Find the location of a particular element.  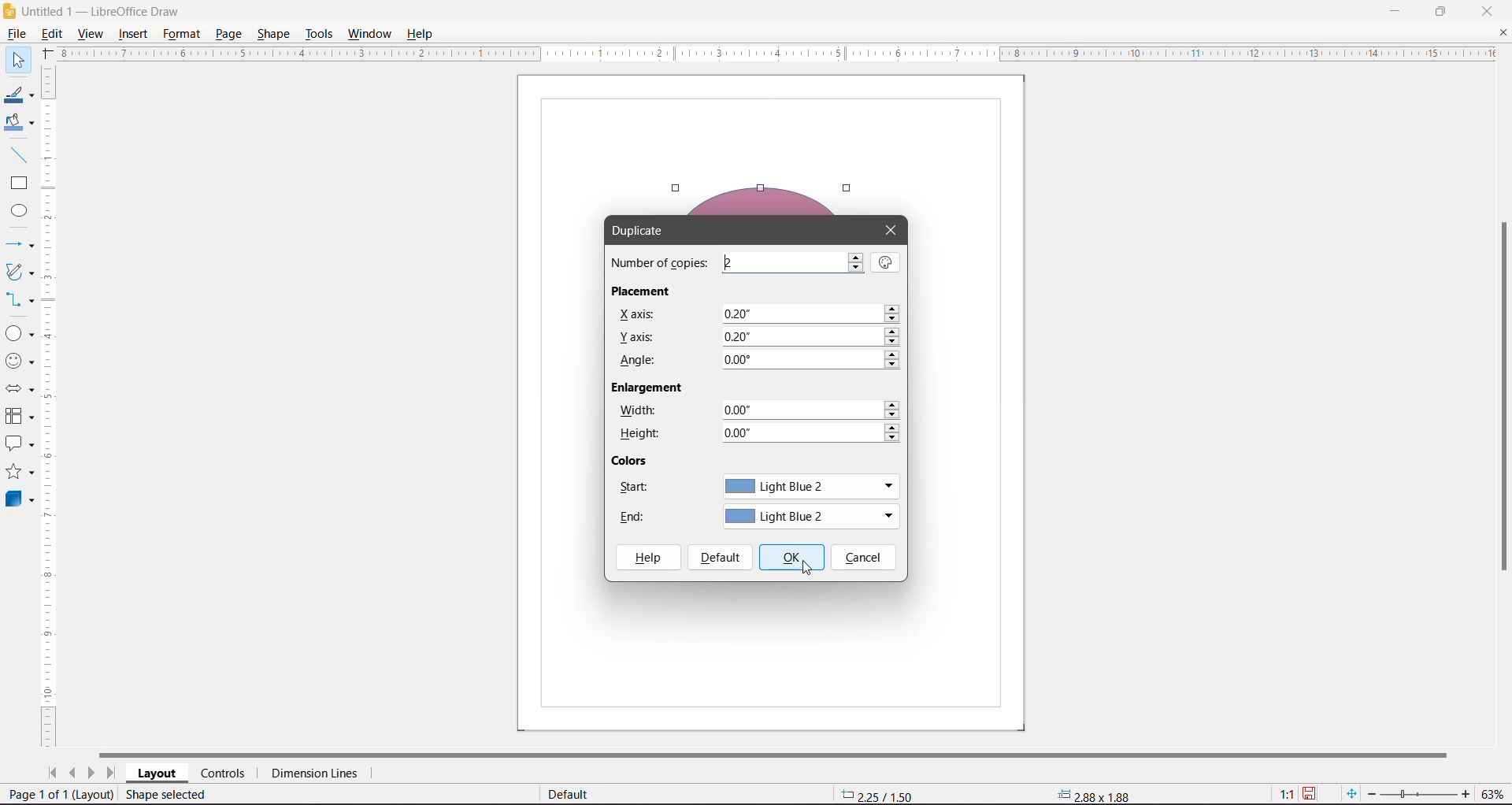

Insert Line is located at coordinates (18, 154).